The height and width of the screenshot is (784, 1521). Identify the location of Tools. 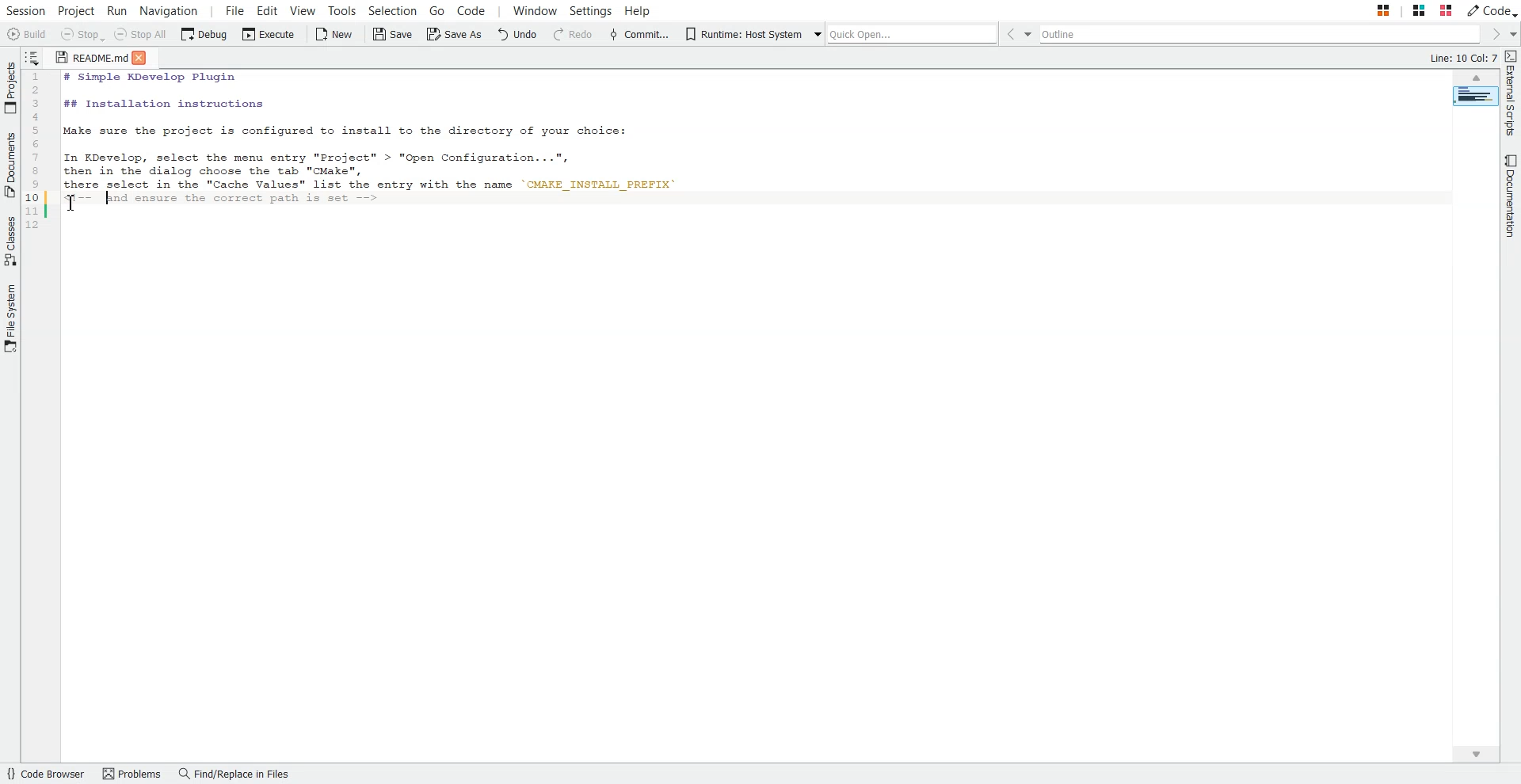
(343, 10).